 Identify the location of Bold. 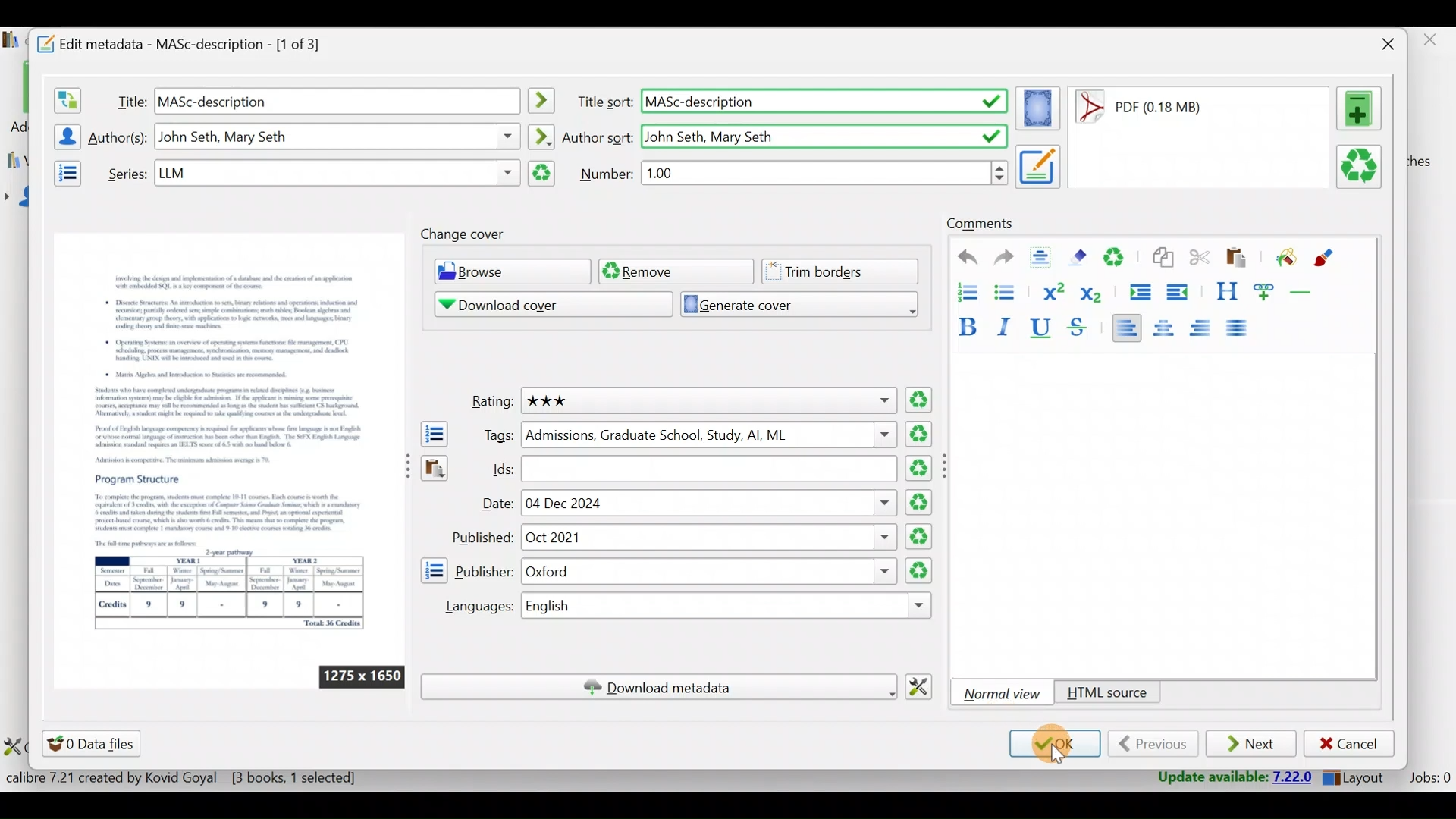
(965, 324).